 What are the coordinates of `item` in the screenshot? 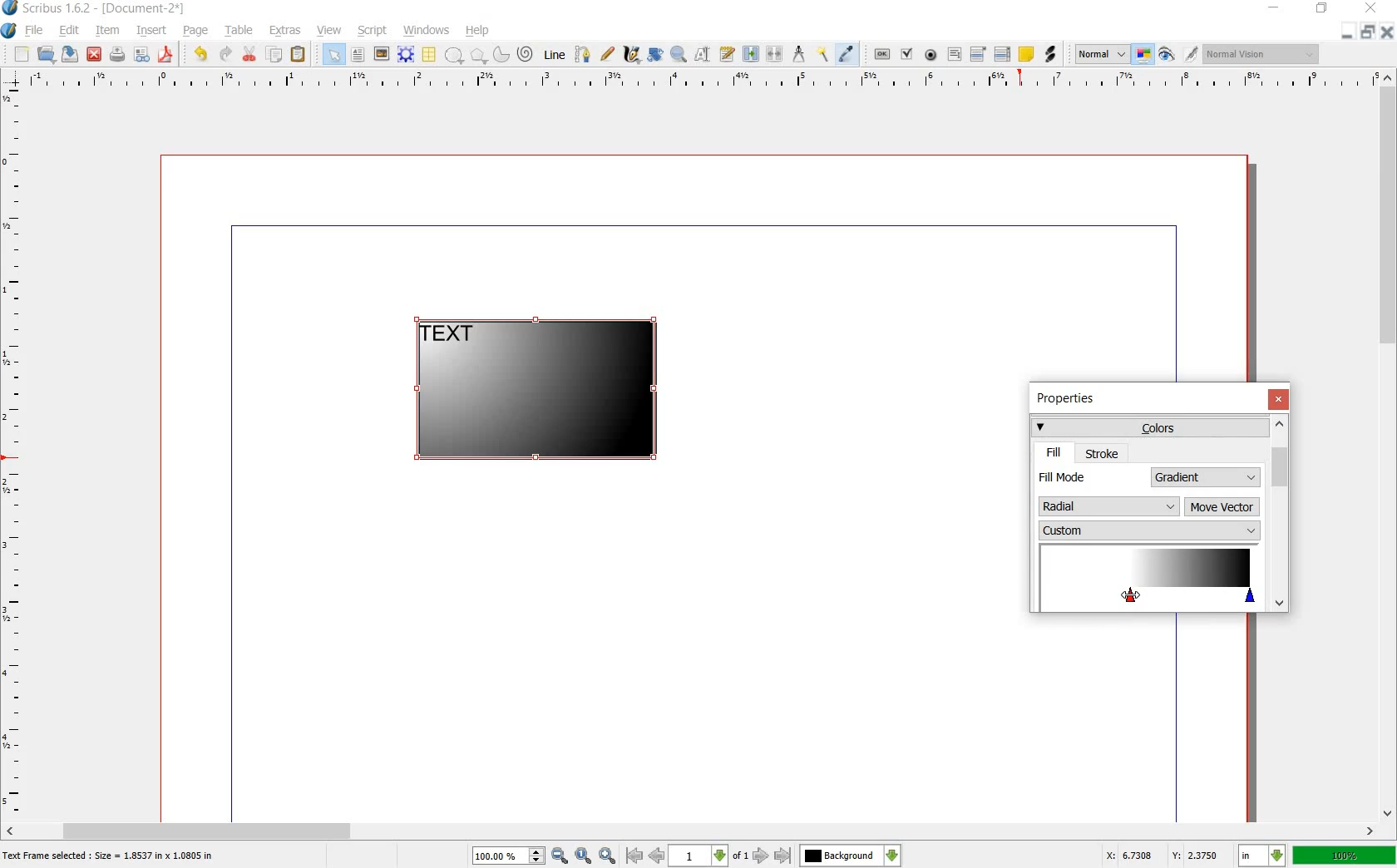 It's located at (106, 32).